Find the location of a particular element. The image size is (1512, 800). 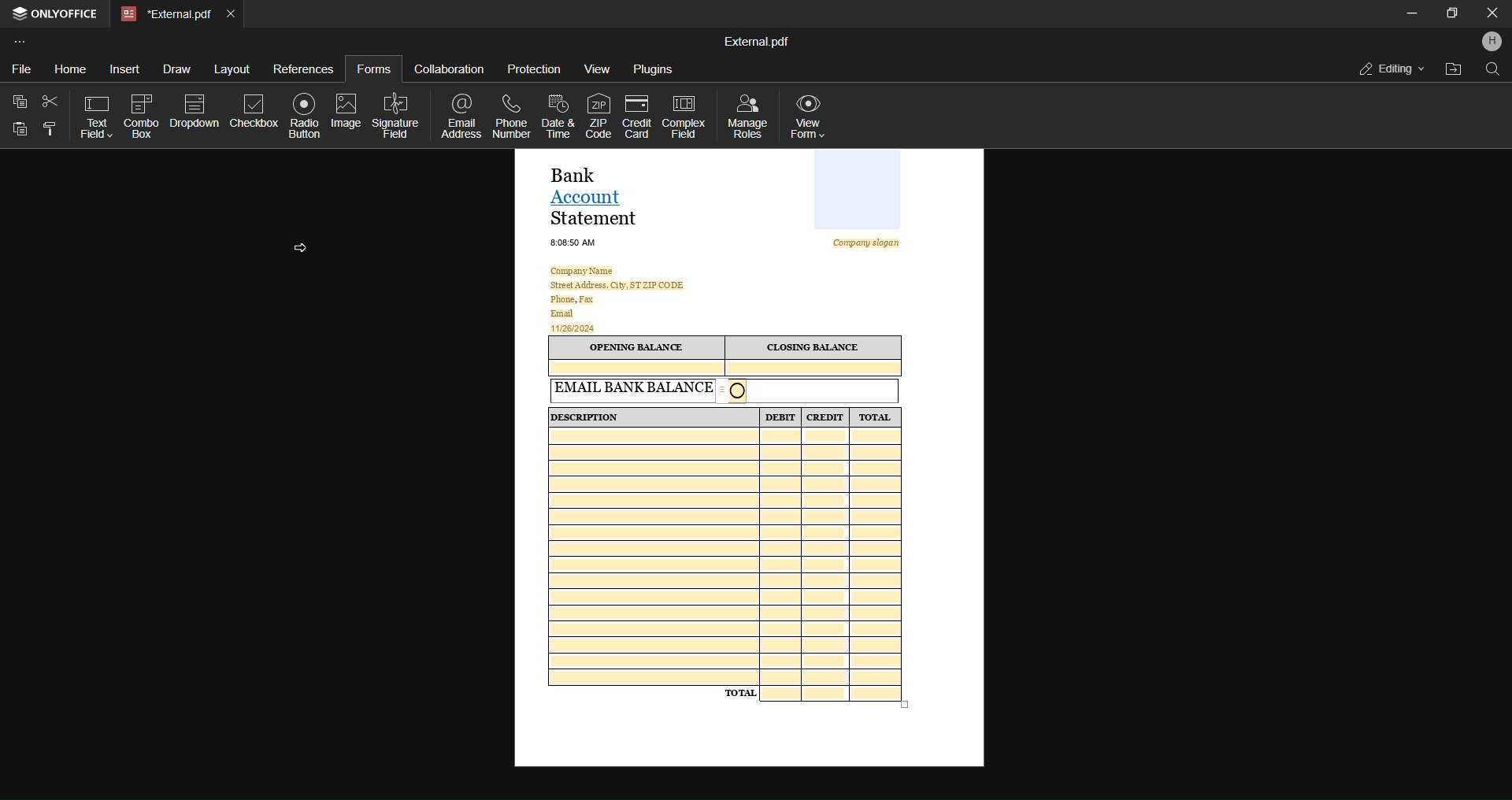

open office tab is located at coordinates (59, 16).